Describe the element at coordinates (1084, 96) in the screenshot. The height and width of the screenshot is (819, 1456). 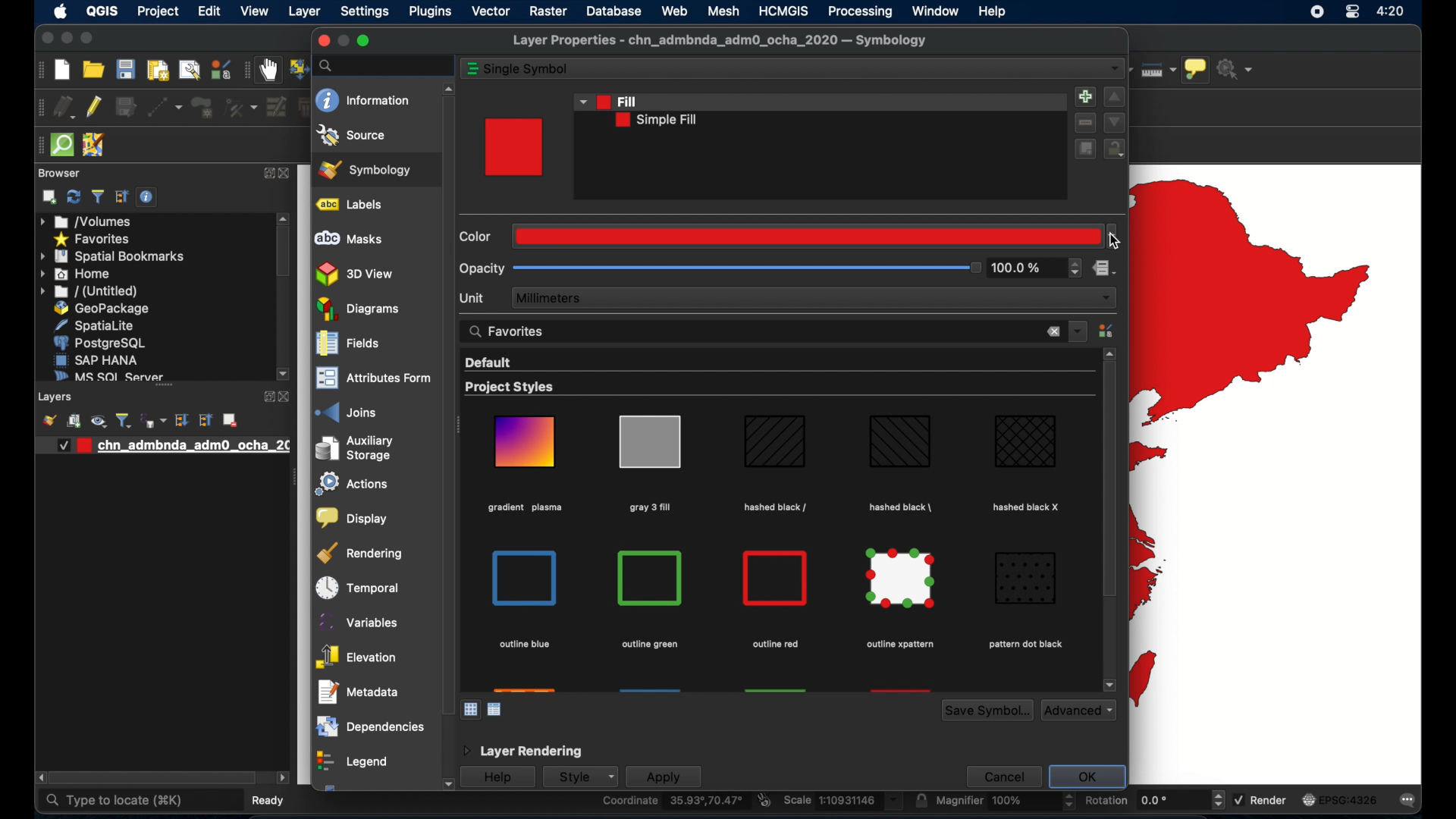
I see `add symbol layer color` at that location.